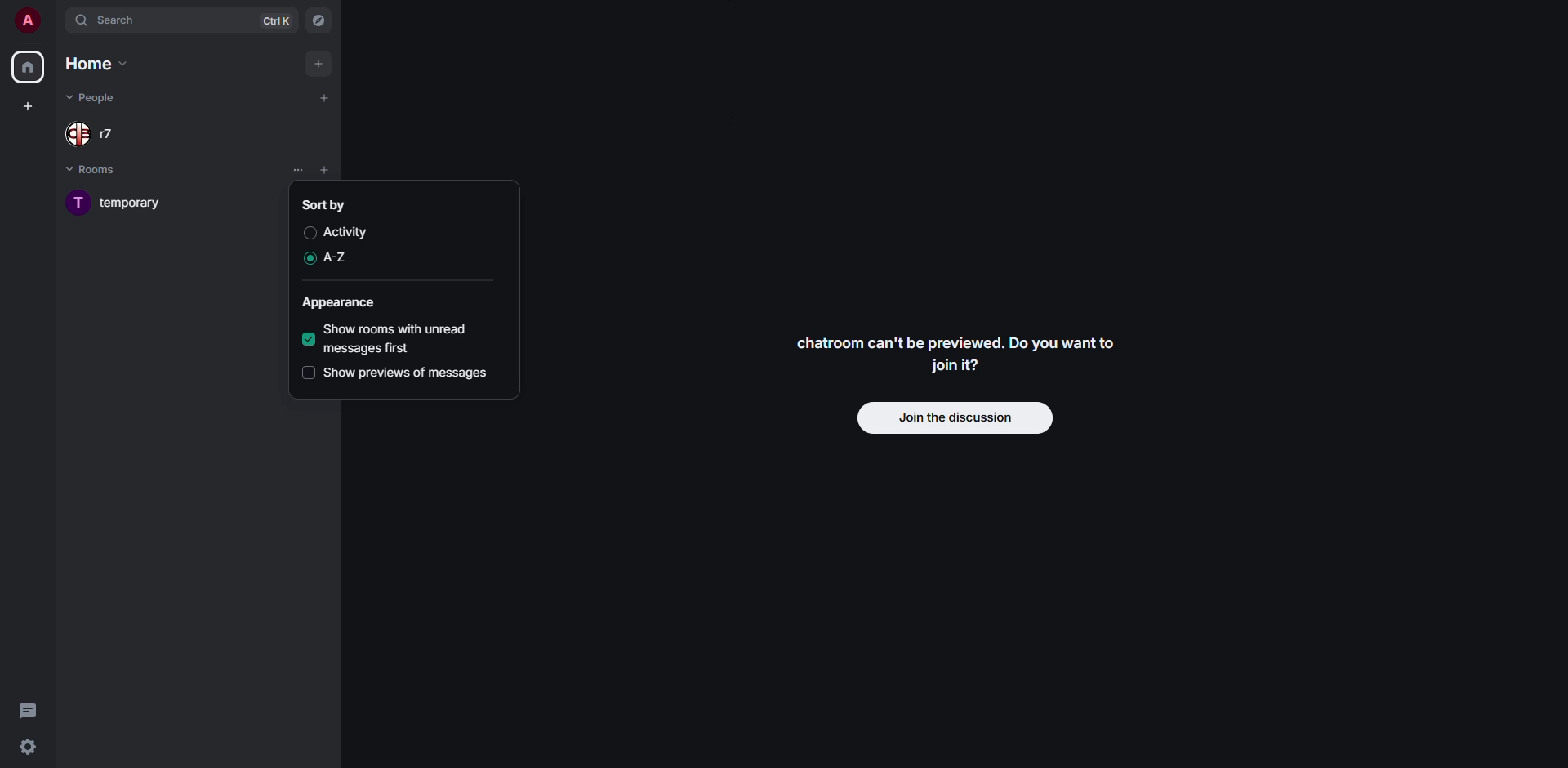 The image size is (1568, 768). Describe the element at coordinates (956, 417) in the screenshot. I see `join discussion` at that location.